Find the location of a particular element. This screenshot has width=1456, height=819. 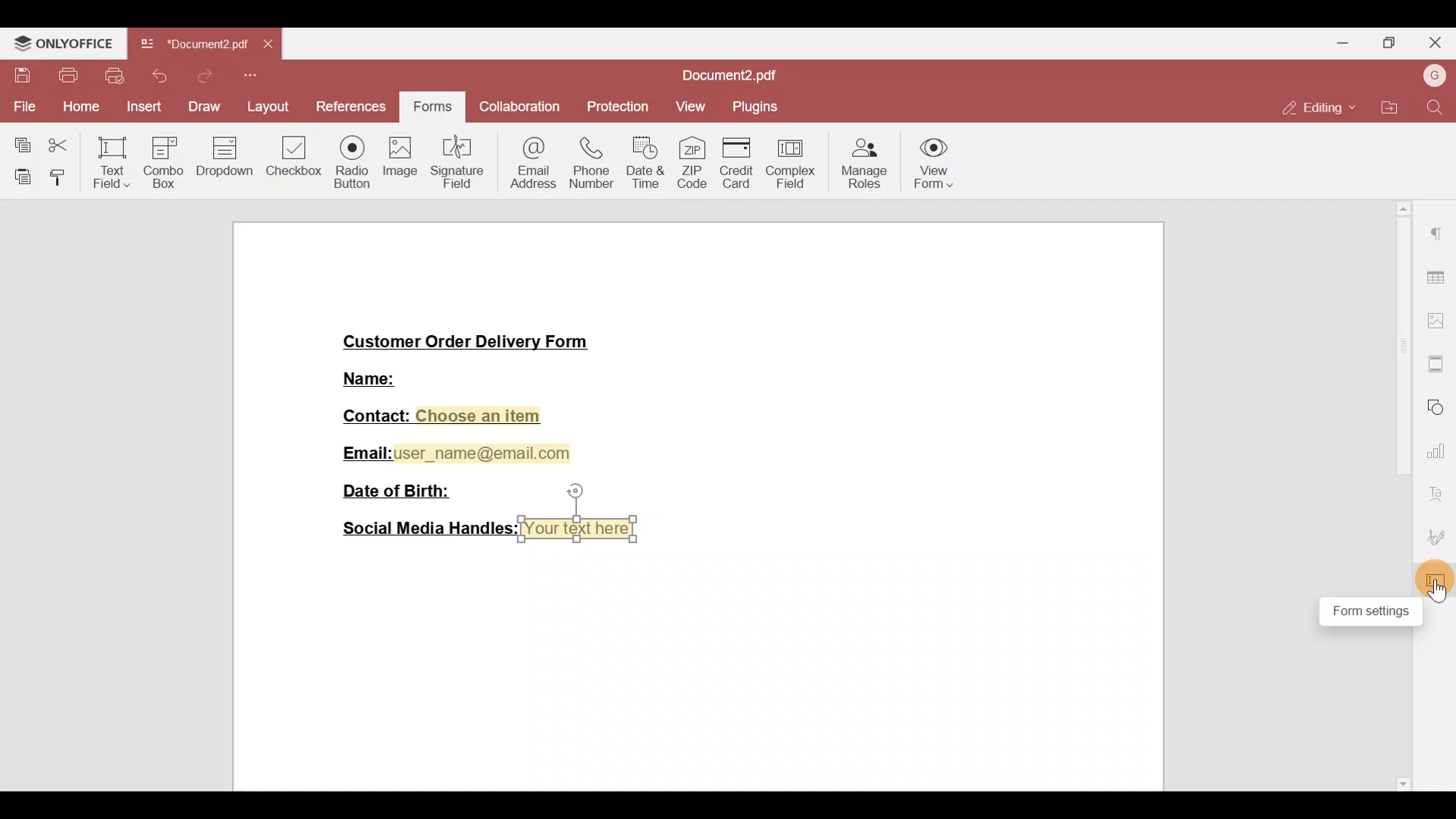

Paragraph settings is located at coordinates (1439, 236).